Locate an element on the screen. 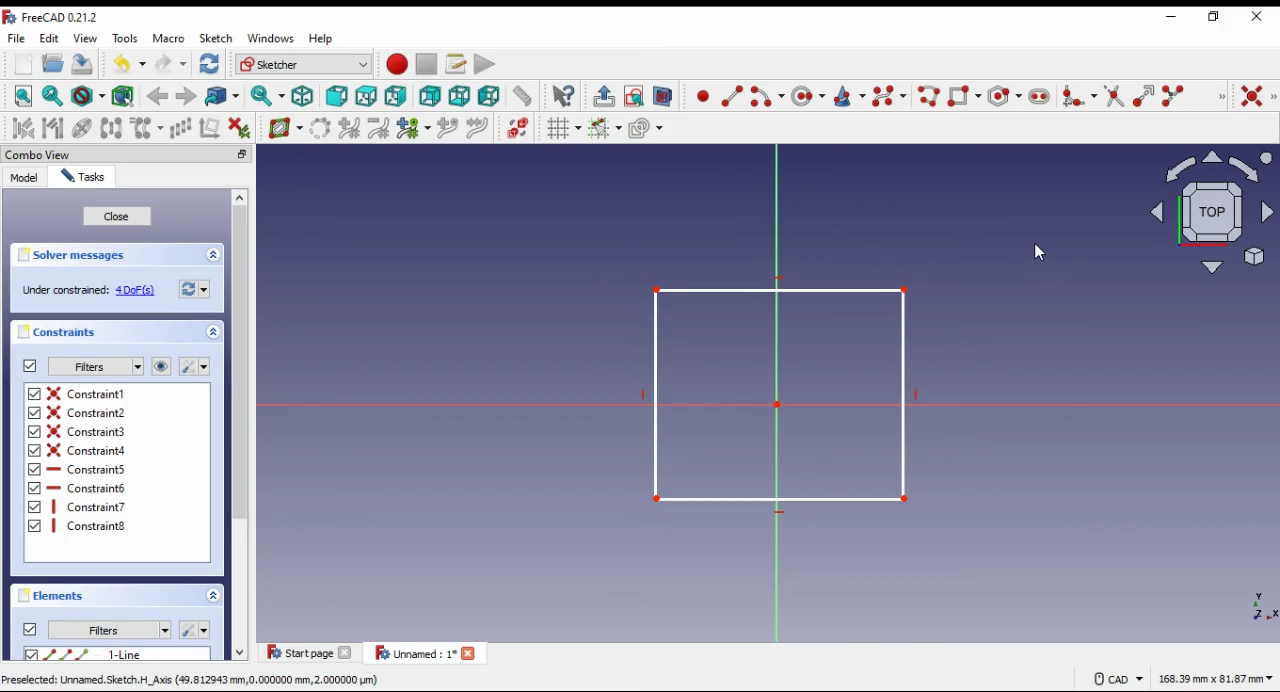 The height and width of the screenshot is (692, 1280). create slot is located at coordinates (1040, 96).